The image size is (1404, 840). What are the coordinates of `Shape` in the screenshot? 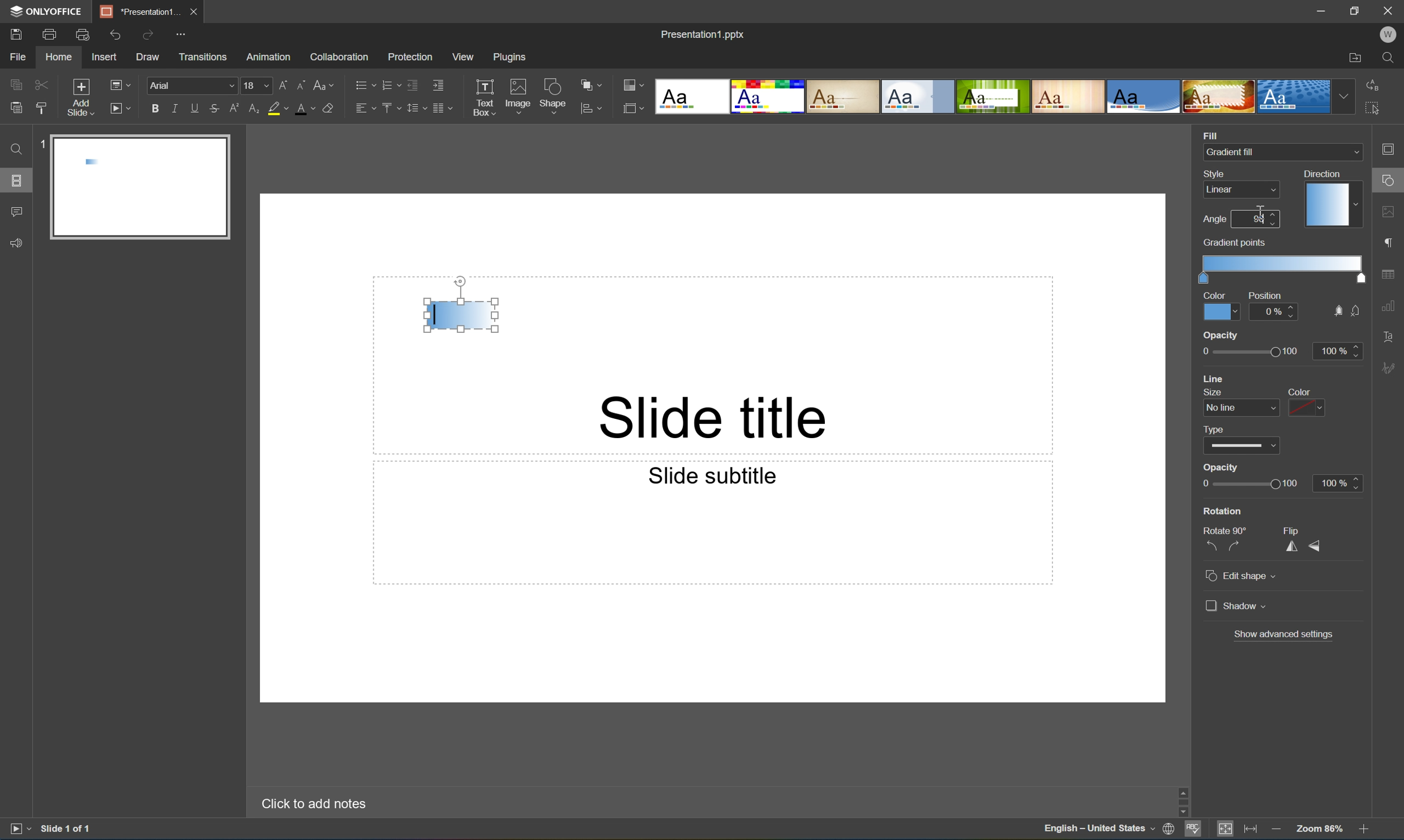 It's located at (554, 98).